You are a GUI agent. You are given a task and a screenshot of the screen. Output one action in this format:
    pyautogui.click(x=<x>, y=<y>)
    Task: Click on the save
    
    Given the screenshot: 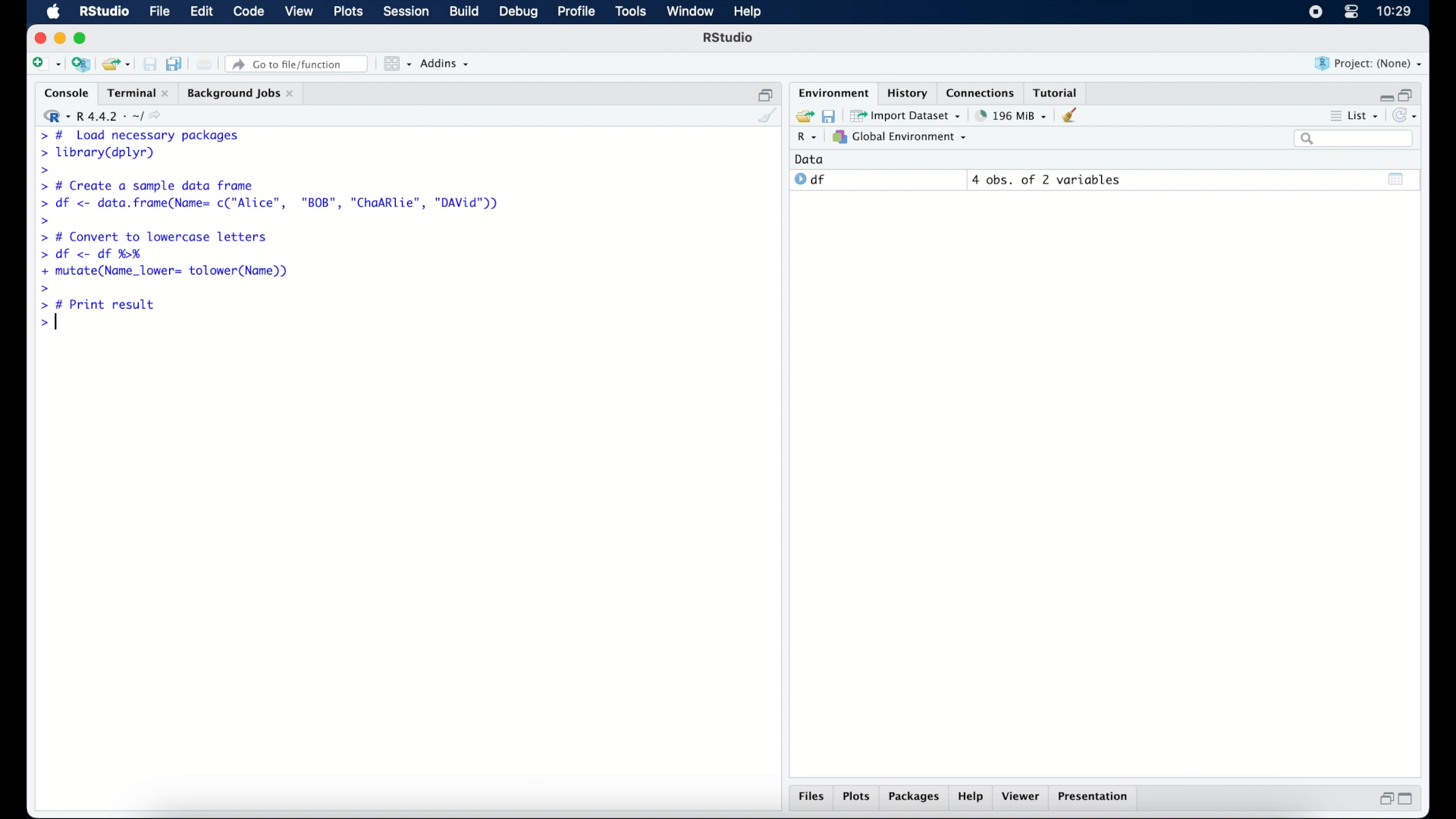 What is the action you would take?
    pyautogui.click(x=828, y=115)
    